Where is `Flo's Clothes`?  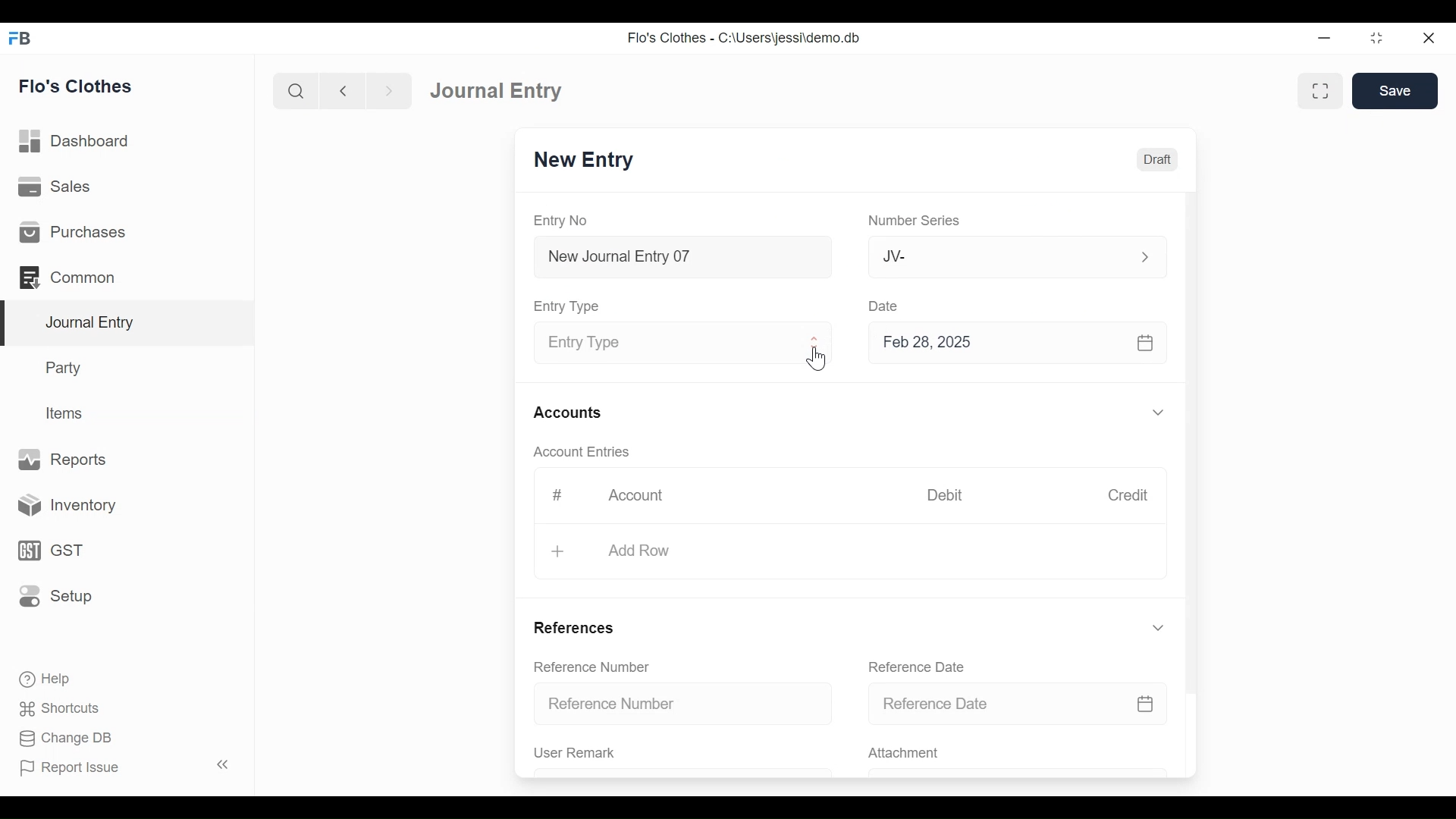
Flo's Clothes is located at coordinates (76, 86).